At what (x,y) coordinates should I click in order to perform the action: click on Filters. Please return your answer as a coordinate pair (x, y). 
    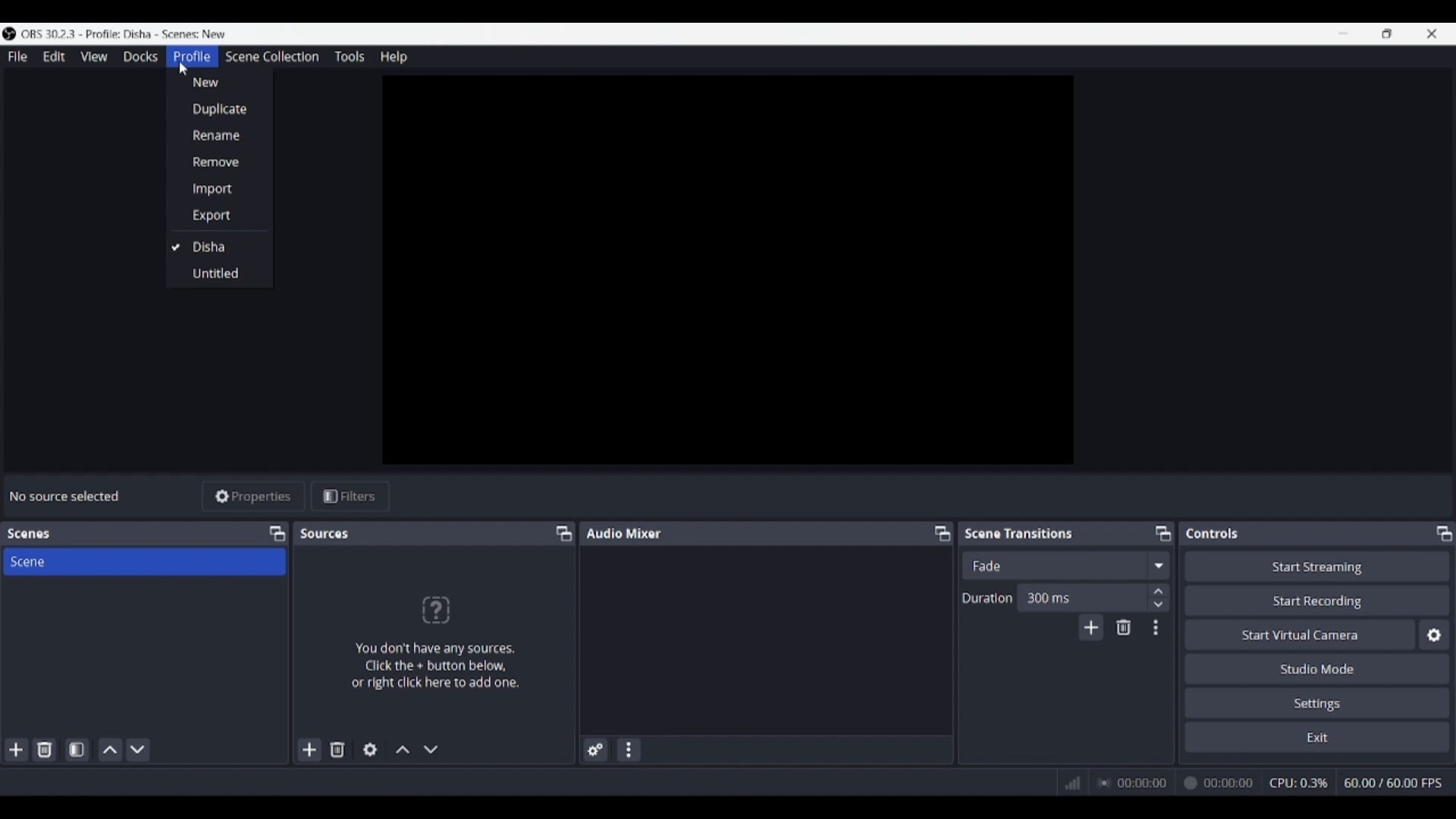
    Looking at the image, I should click on (350, 497).